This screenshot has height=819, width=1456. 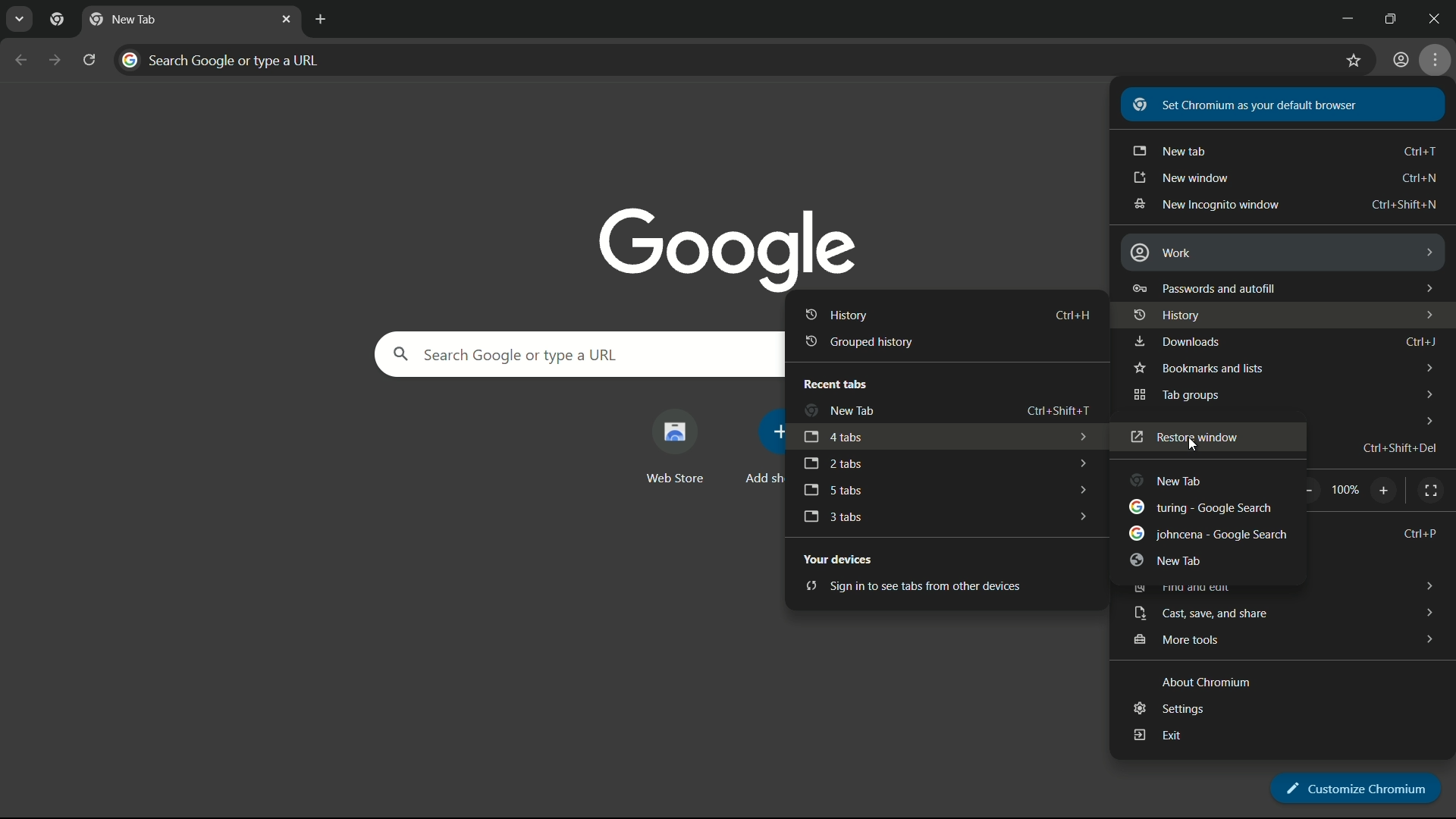 What do you see at coordinates (89, 59) in the screenshot?
I see `reload` at bounding box center [89, 59].